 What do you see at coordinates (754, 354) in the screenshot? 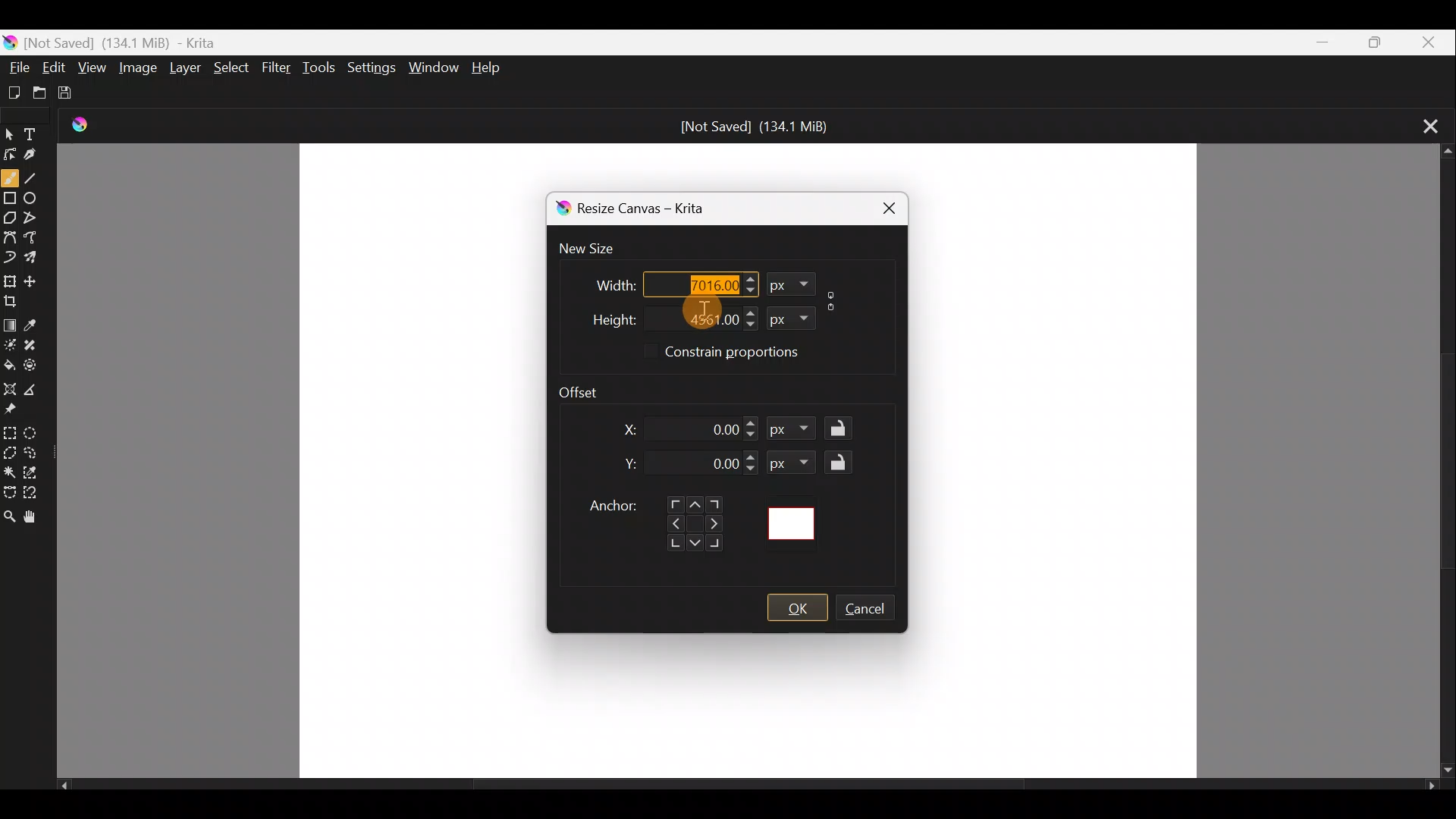
I see `Constrain proportions` at bounding box center [754, 354].